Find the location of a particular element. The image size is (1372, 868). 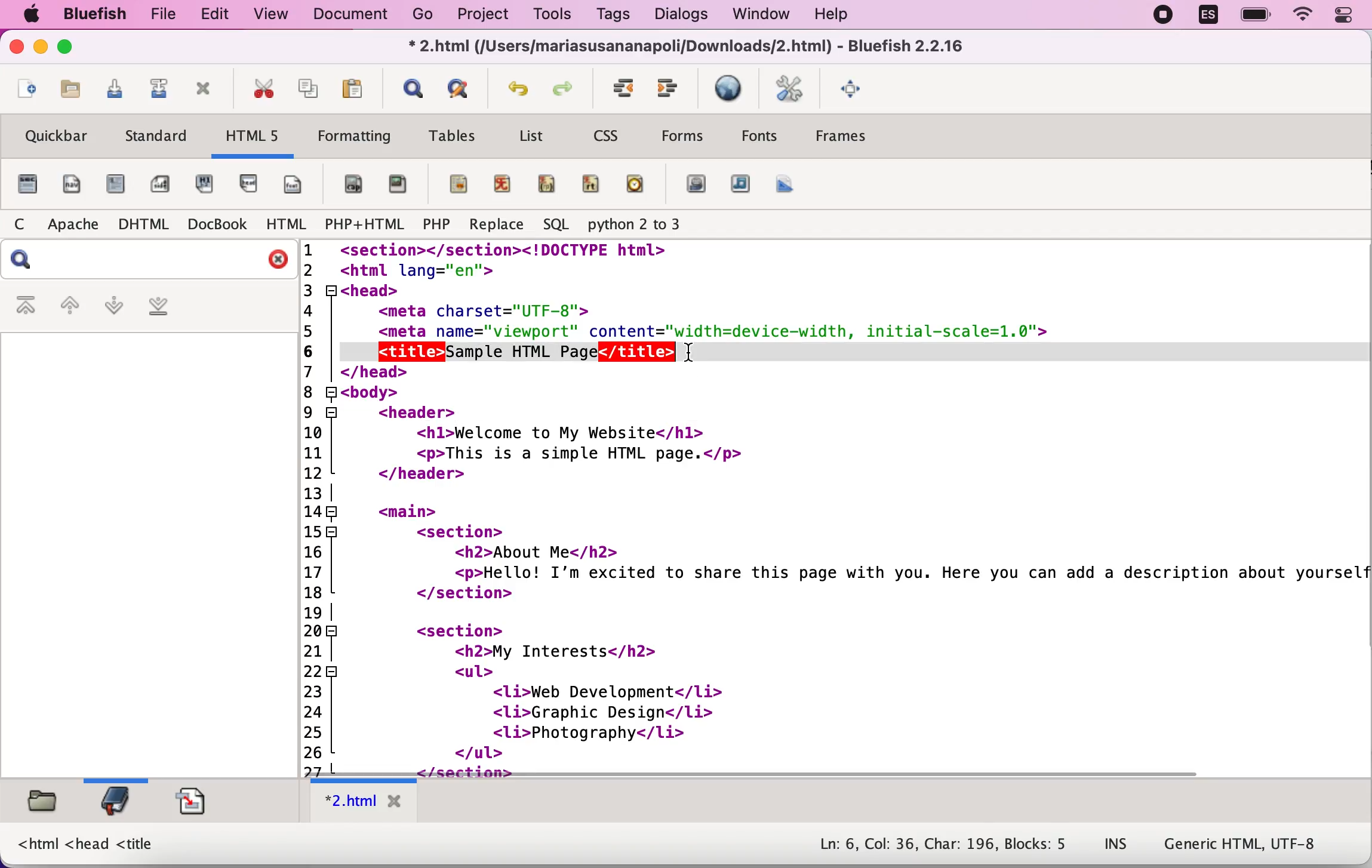

python 2 to 3 is located at coordinates (657, 226).